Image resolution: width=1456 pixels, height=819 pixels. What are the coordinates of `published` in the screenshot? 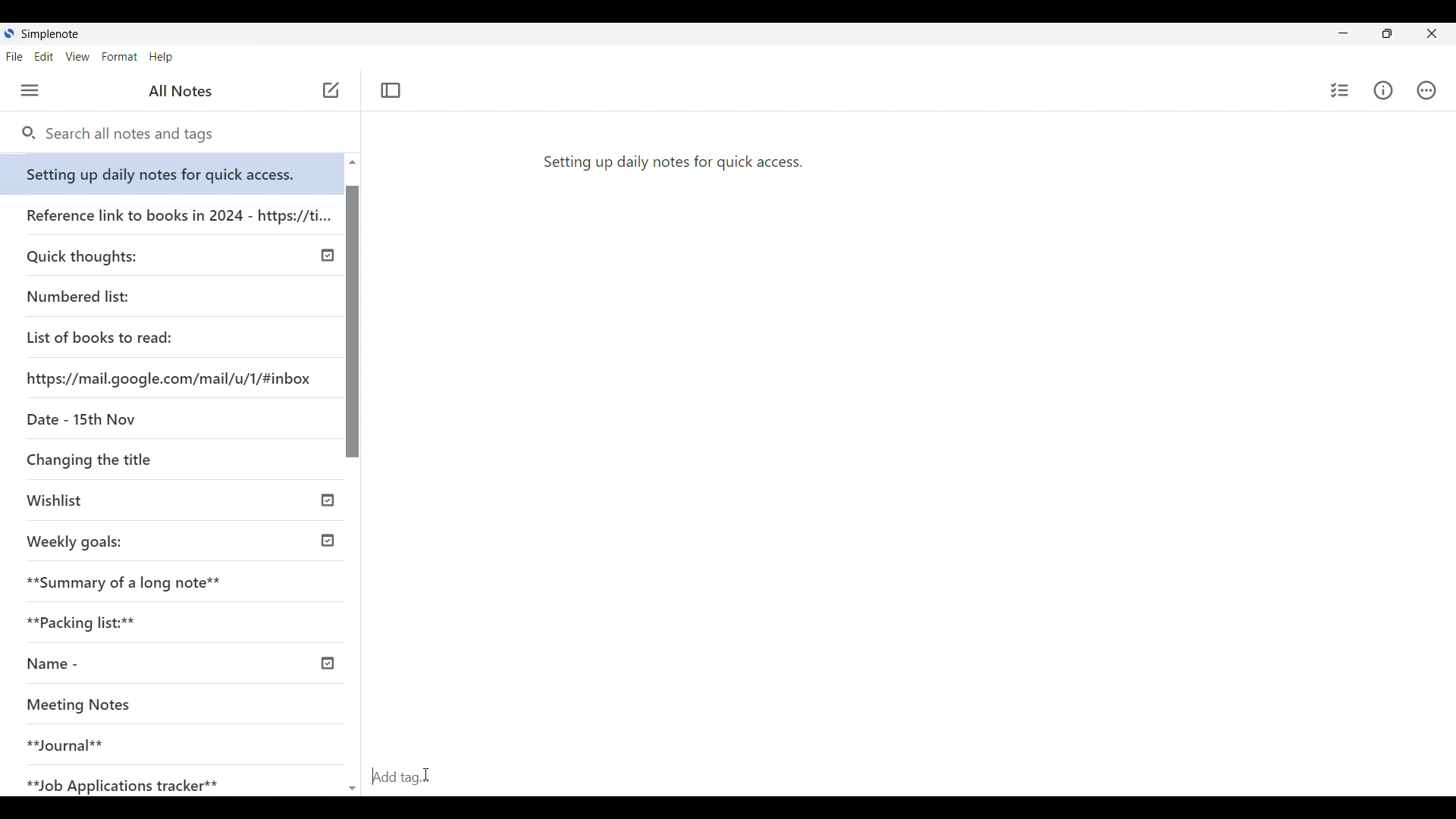 It's located at (328, 541).